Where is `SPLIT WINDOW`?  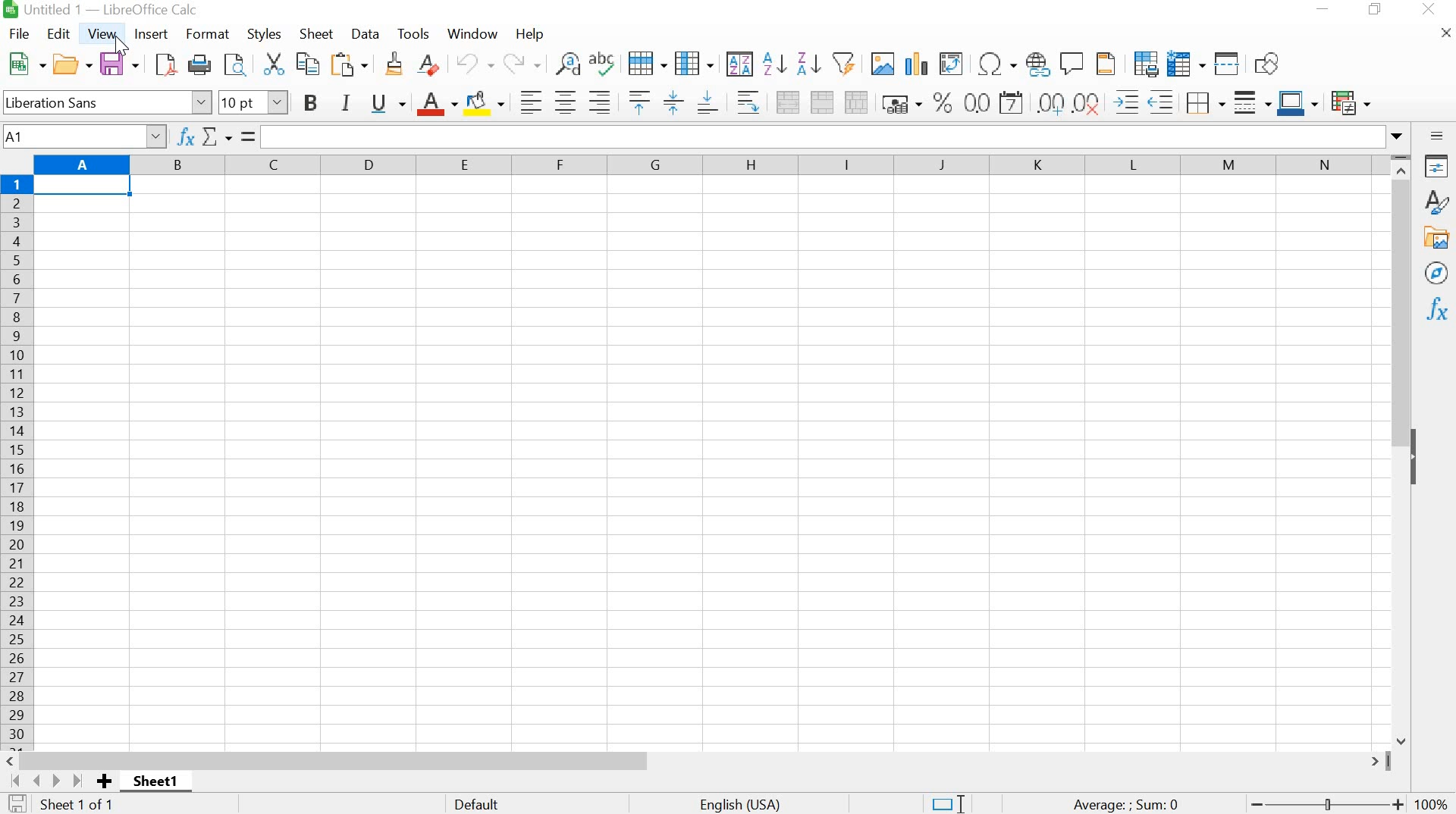 SPLIT WINDOW is located at coordinates (1225, 63).